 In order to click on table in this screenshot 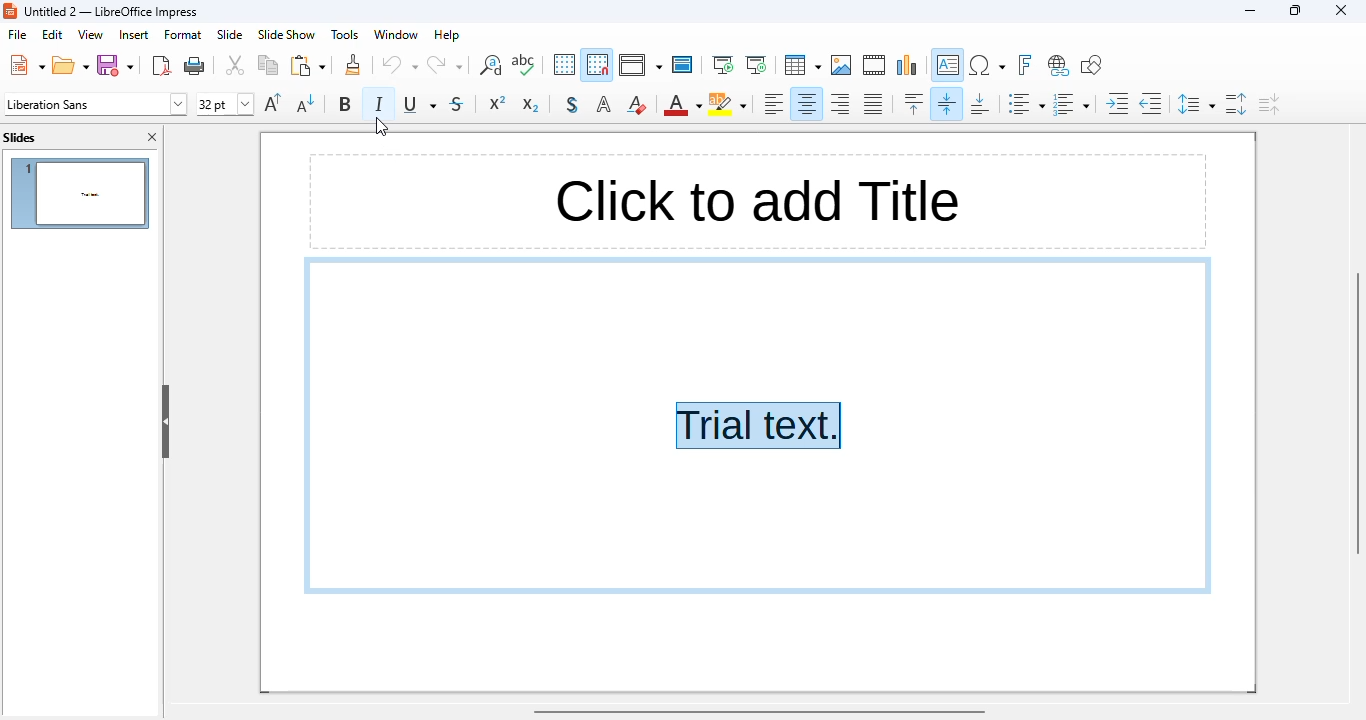, I will do `click(802, 64)`.